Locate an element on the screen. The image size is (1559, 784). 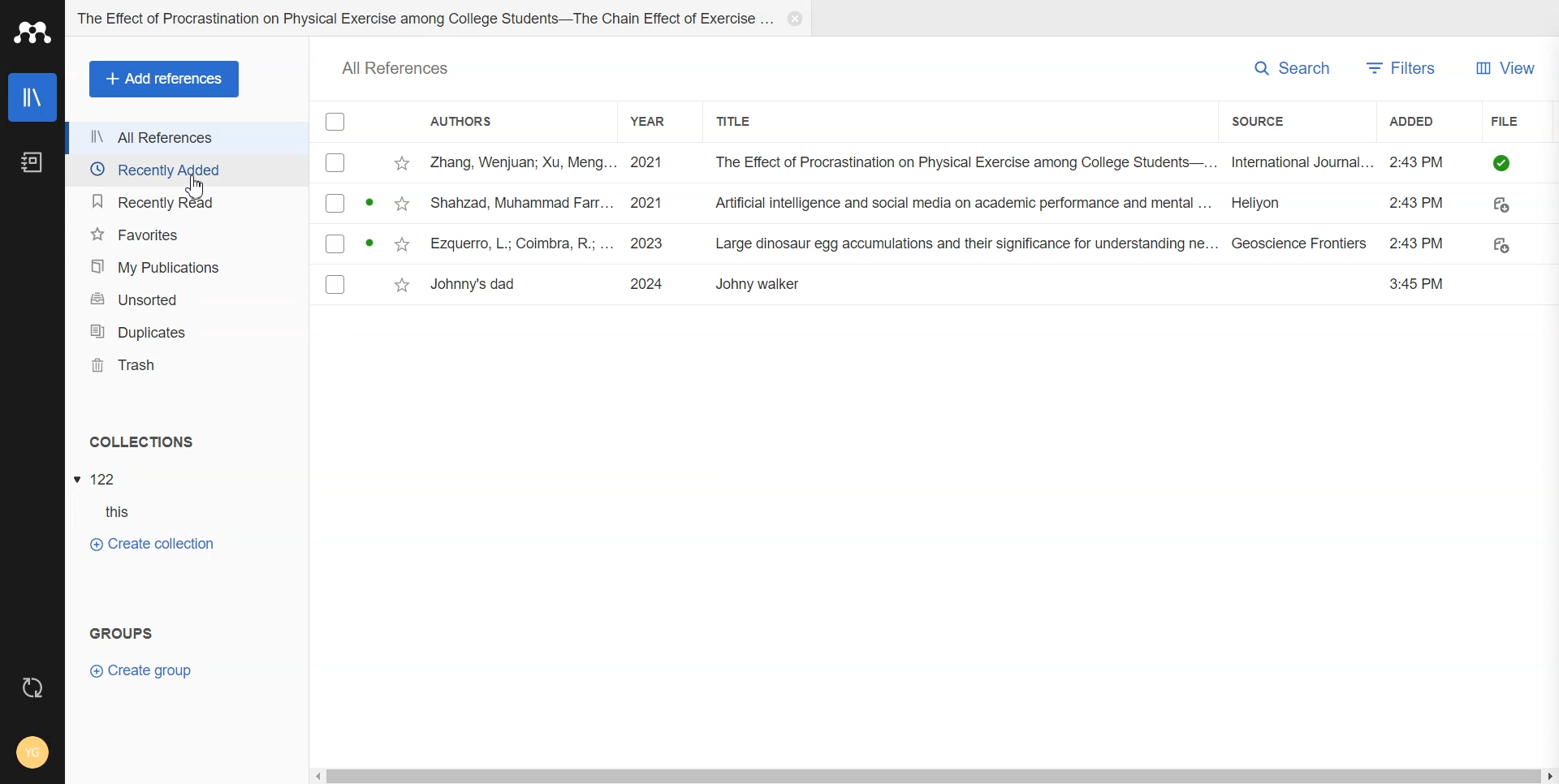
My Publications is located at coordinates (183, 267).